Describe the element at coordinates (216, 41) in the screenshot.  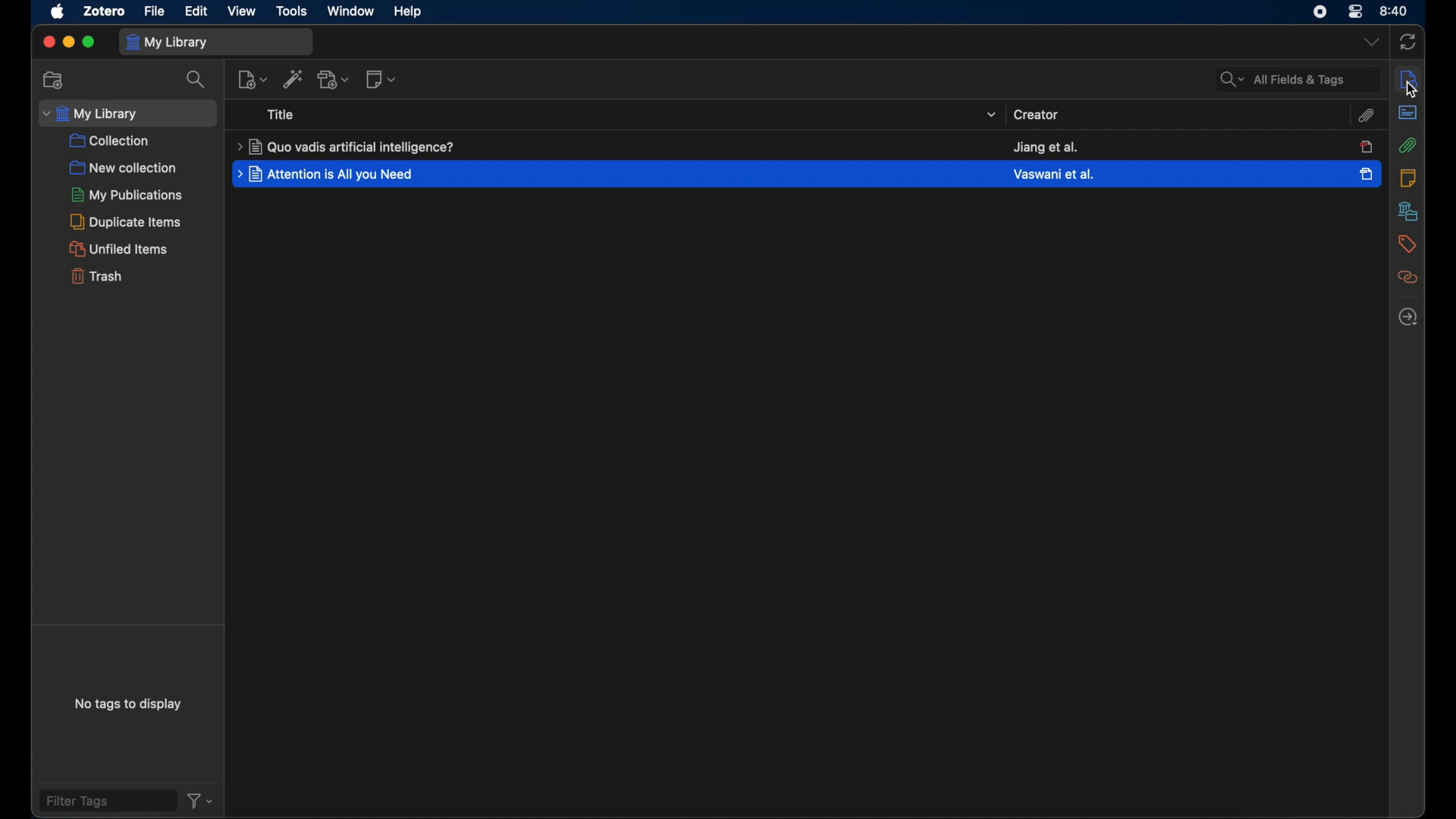
I see `my library` at that location.